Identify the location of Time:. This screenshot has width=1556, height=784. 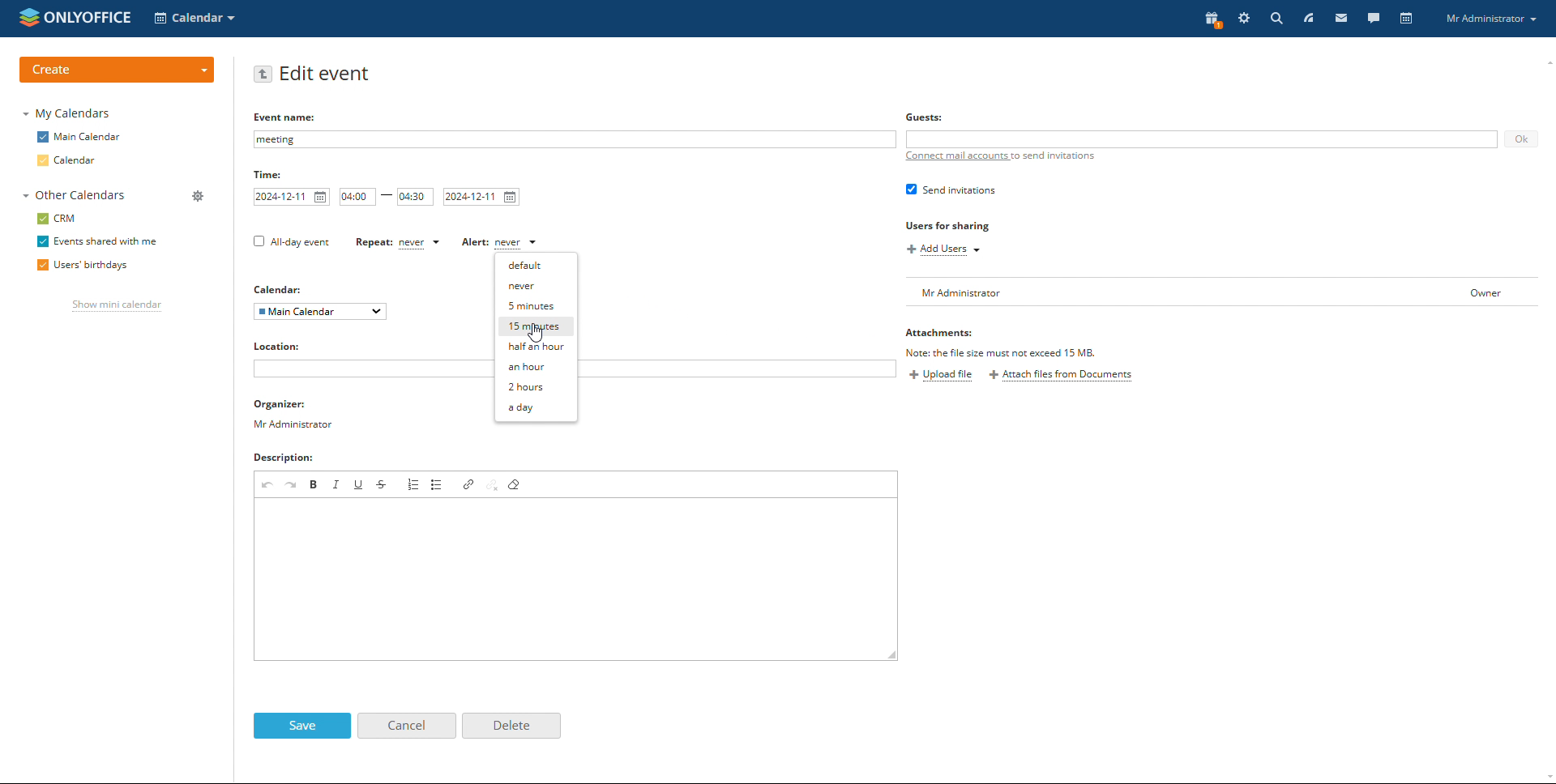
(268, 175).